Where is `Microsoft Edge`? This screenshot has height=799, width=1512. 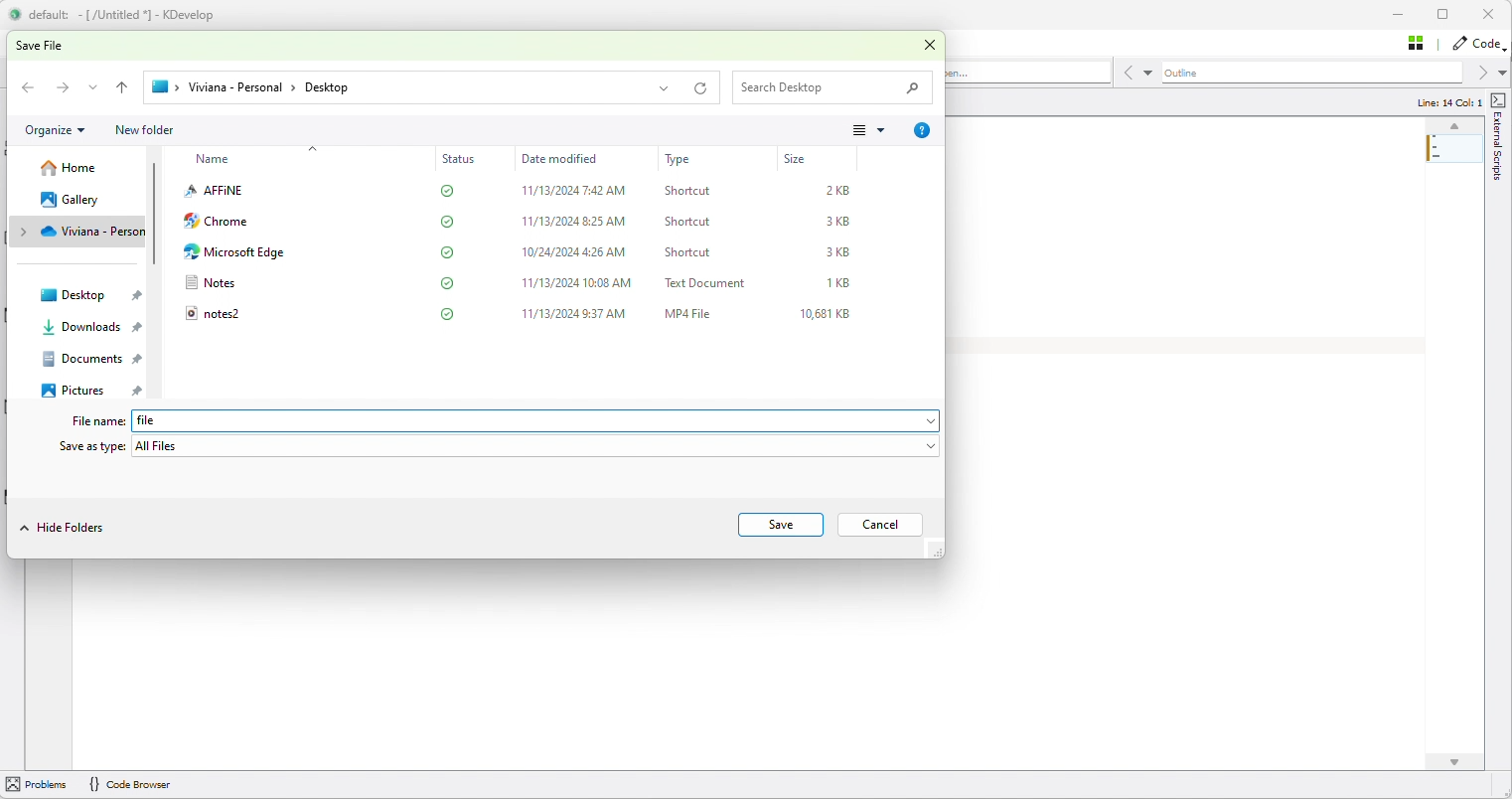 Microsoft Edge is located at coordinates (233, 252).